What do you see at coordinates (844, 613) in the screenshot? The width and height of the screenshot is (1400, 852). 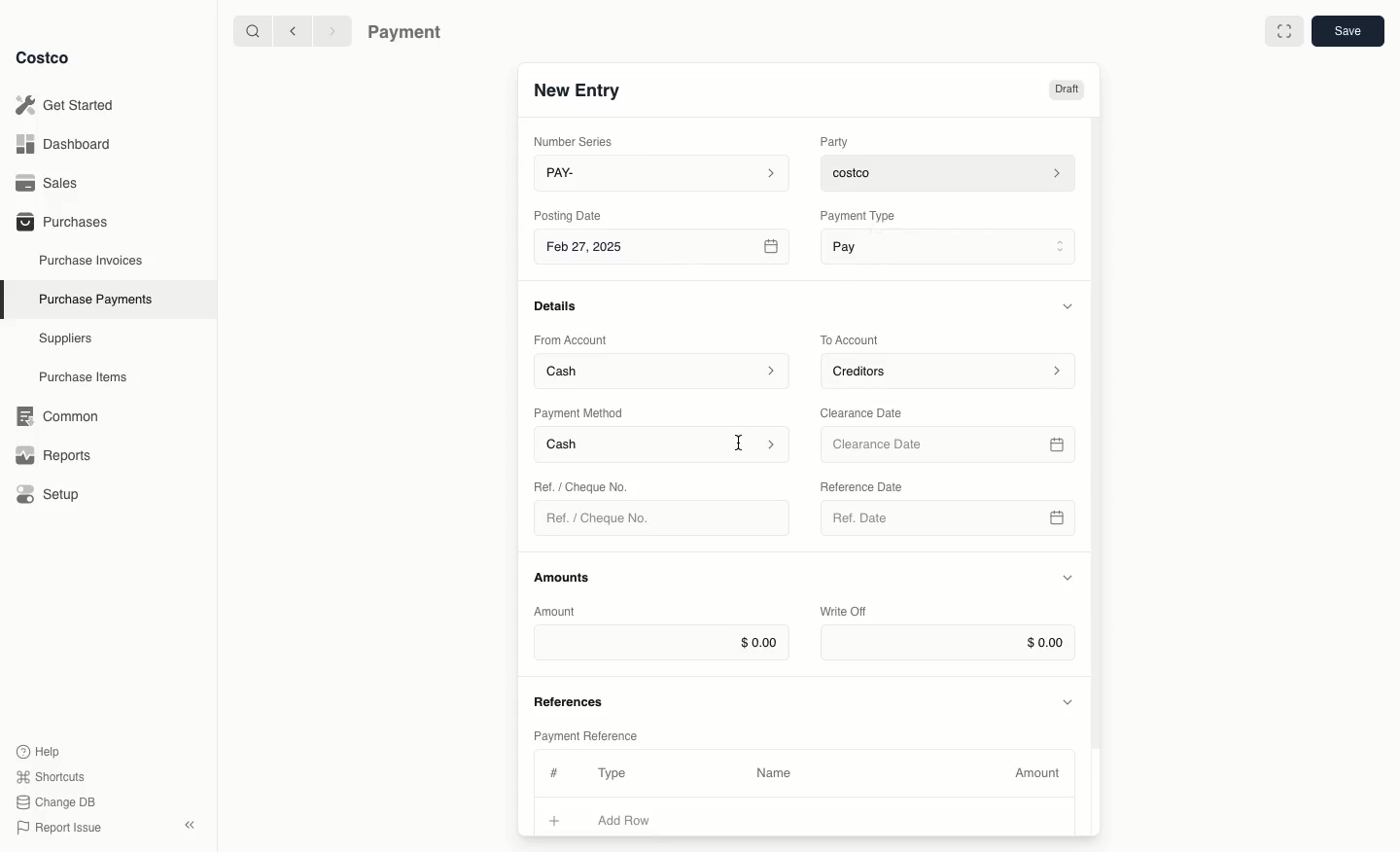 I see `Write Off` at bounding box center [844, 613].